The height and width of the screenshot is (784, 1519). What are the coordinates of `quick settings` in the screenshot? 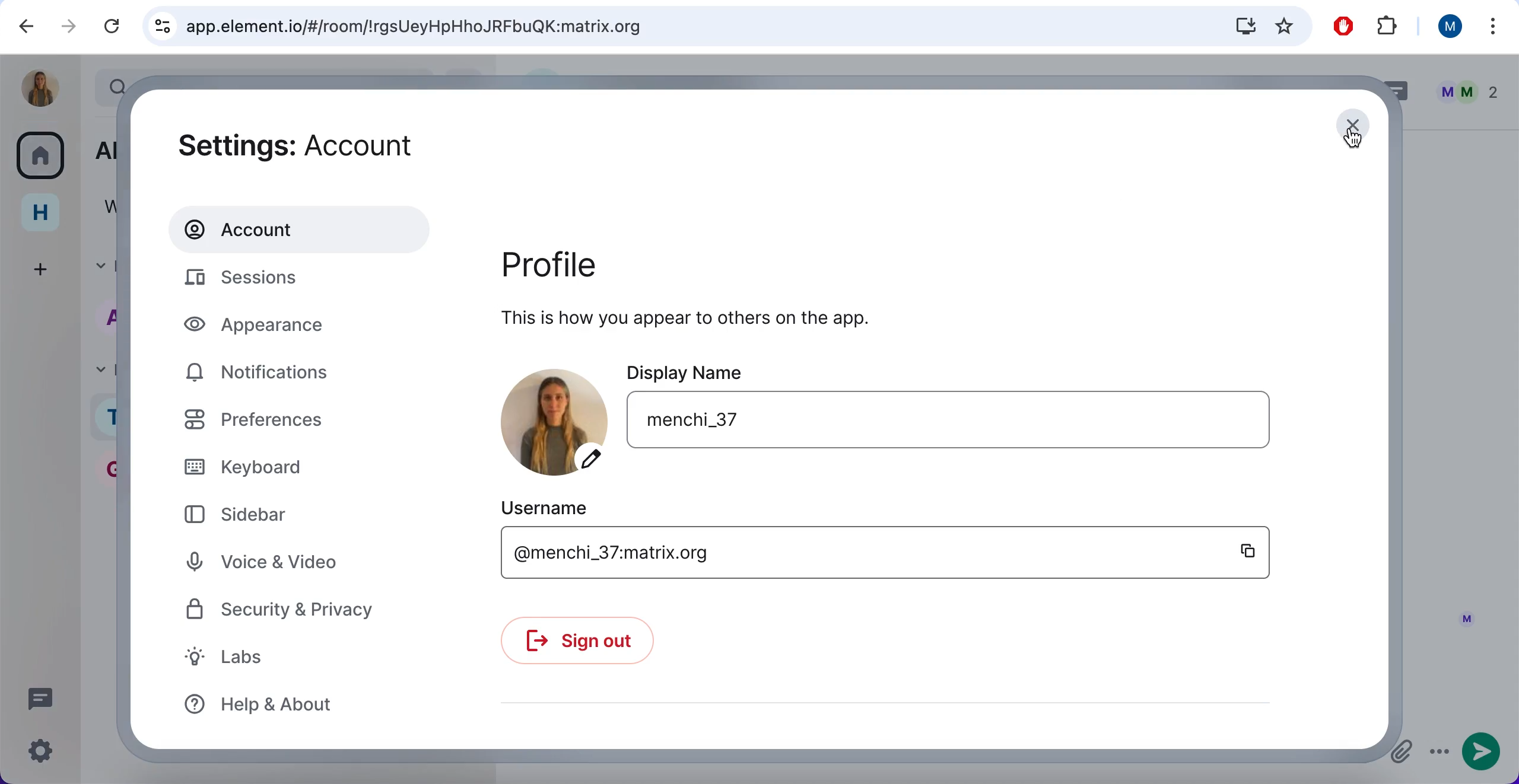 It's located at (42, 751).